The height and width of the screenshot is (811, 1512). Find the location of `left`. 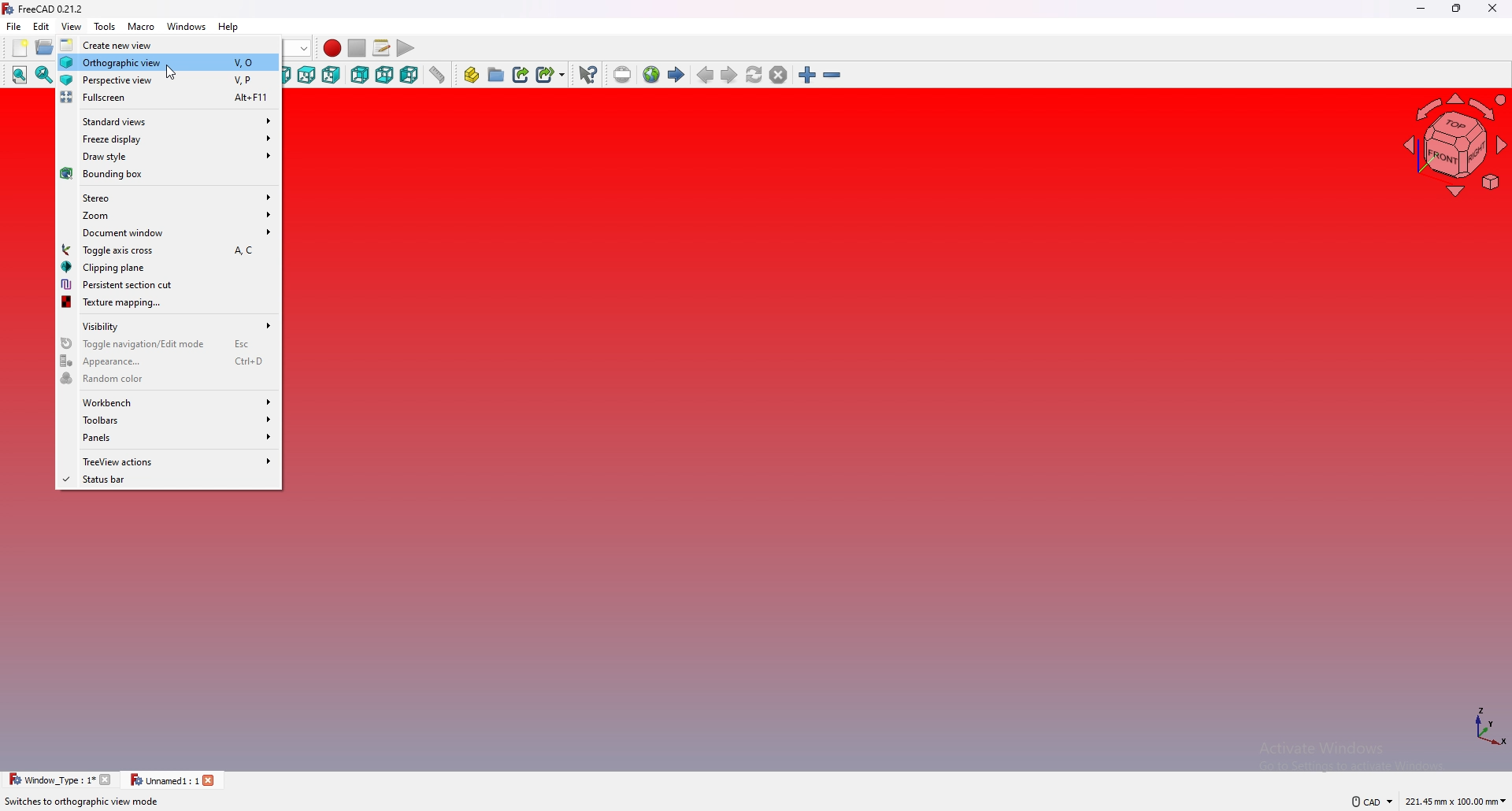

left is located at coordinates (409, 75).